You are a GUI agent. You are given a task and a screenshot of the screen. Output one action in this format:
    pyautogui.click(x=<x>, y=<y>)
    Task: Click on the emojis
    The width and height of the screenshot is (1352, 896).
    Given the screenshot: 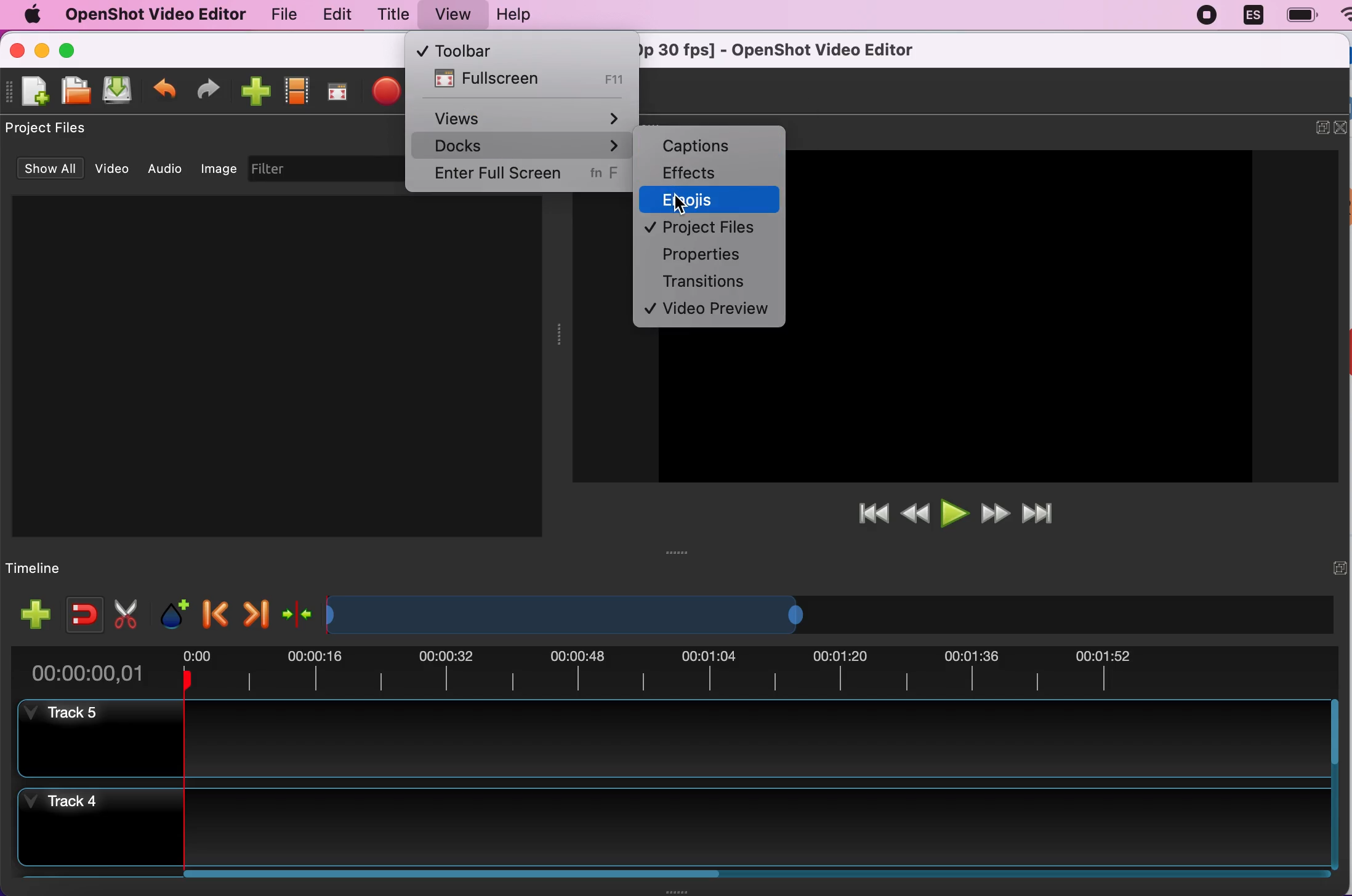 What is the action you would take?
    pyautogui.click(x=714, y=201)
    